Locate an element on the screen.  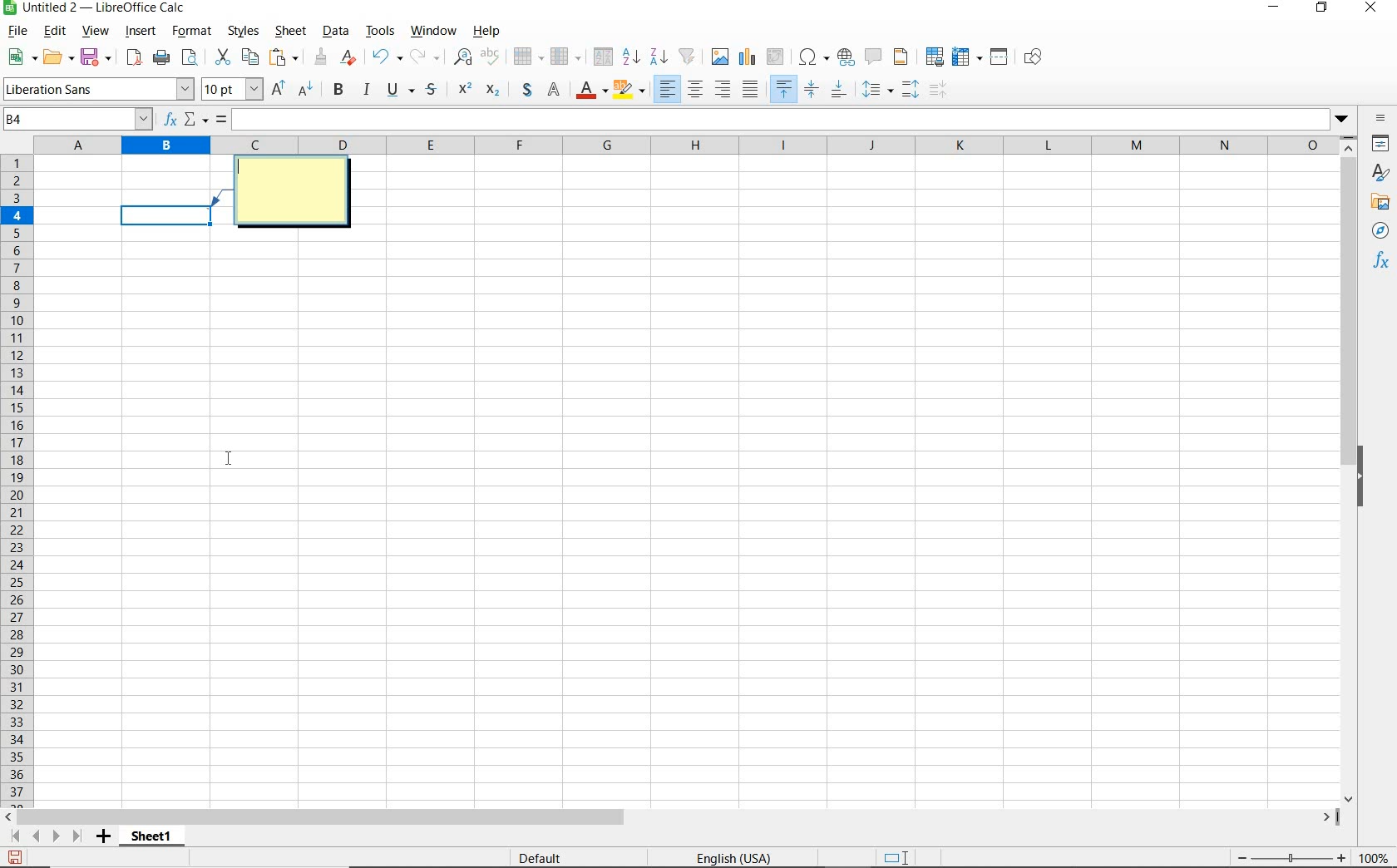
insert chart is located at coordinates (747, 58).